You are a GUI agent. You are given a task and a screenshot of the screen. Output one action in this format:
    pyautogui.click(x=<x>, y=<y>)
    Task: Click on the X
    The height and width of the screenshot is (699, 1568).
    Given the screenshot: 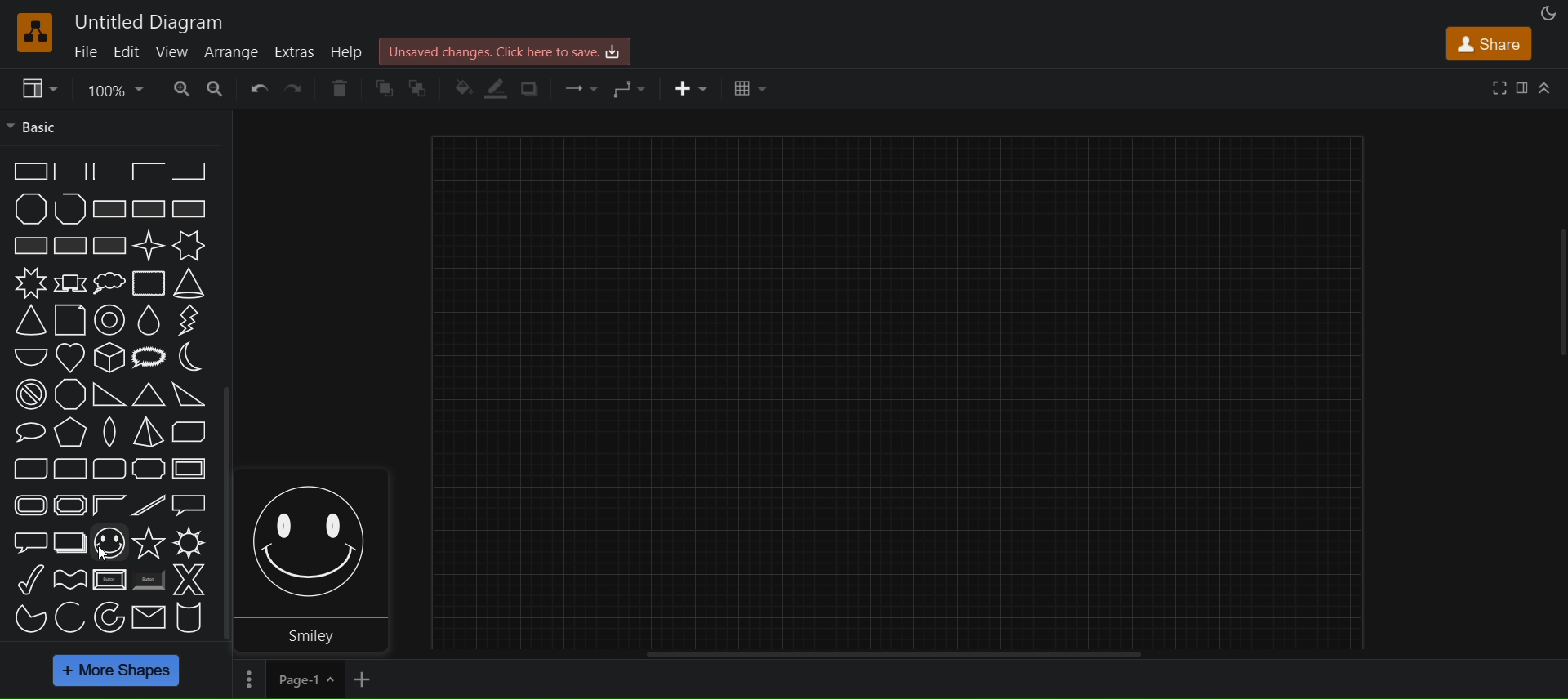 What is the action you would take?
    pyautogui.click(x=189, y=580)
    